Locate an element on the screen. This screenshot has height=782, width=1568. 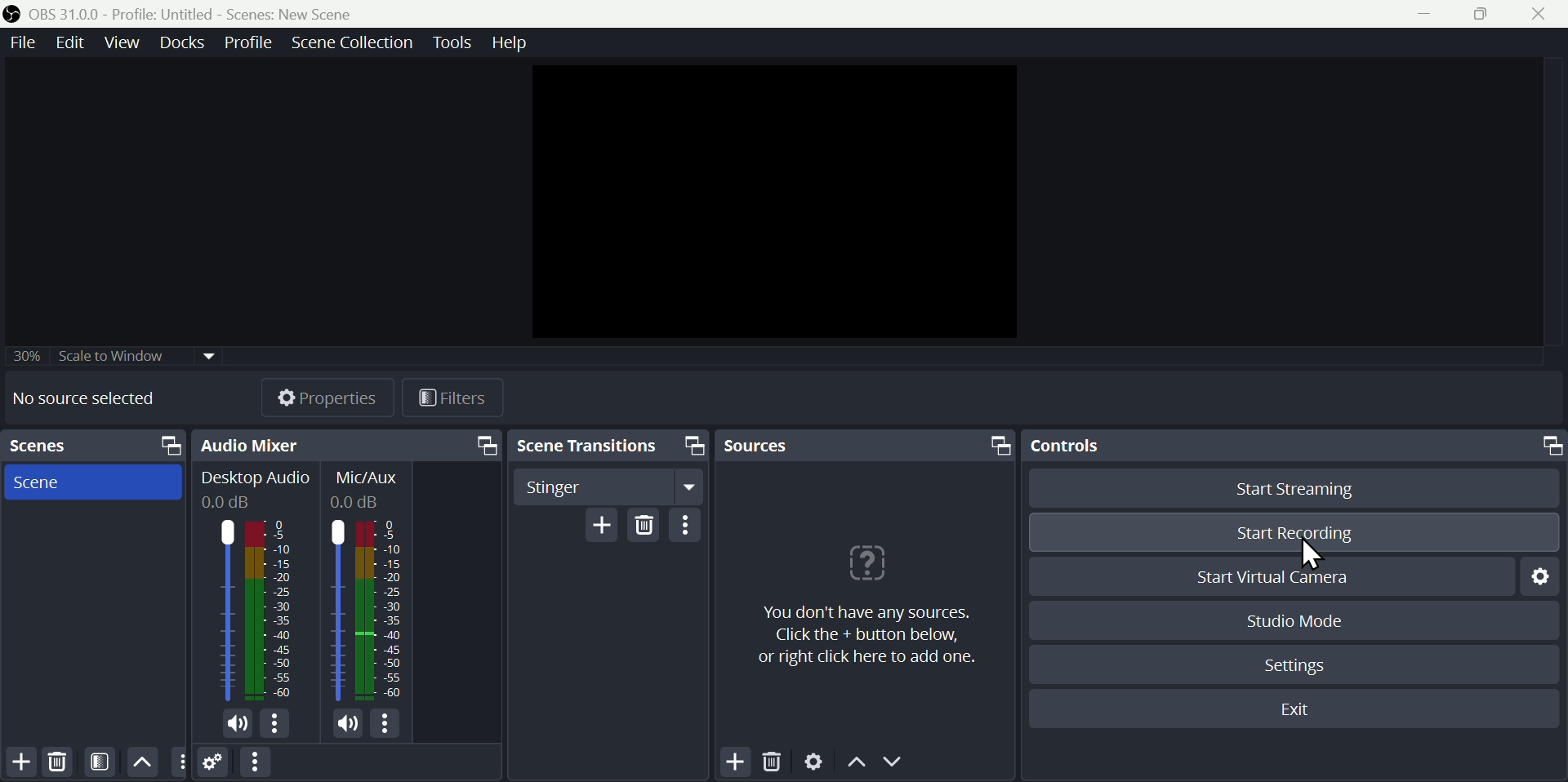
add is located at coordinates (20, 762).